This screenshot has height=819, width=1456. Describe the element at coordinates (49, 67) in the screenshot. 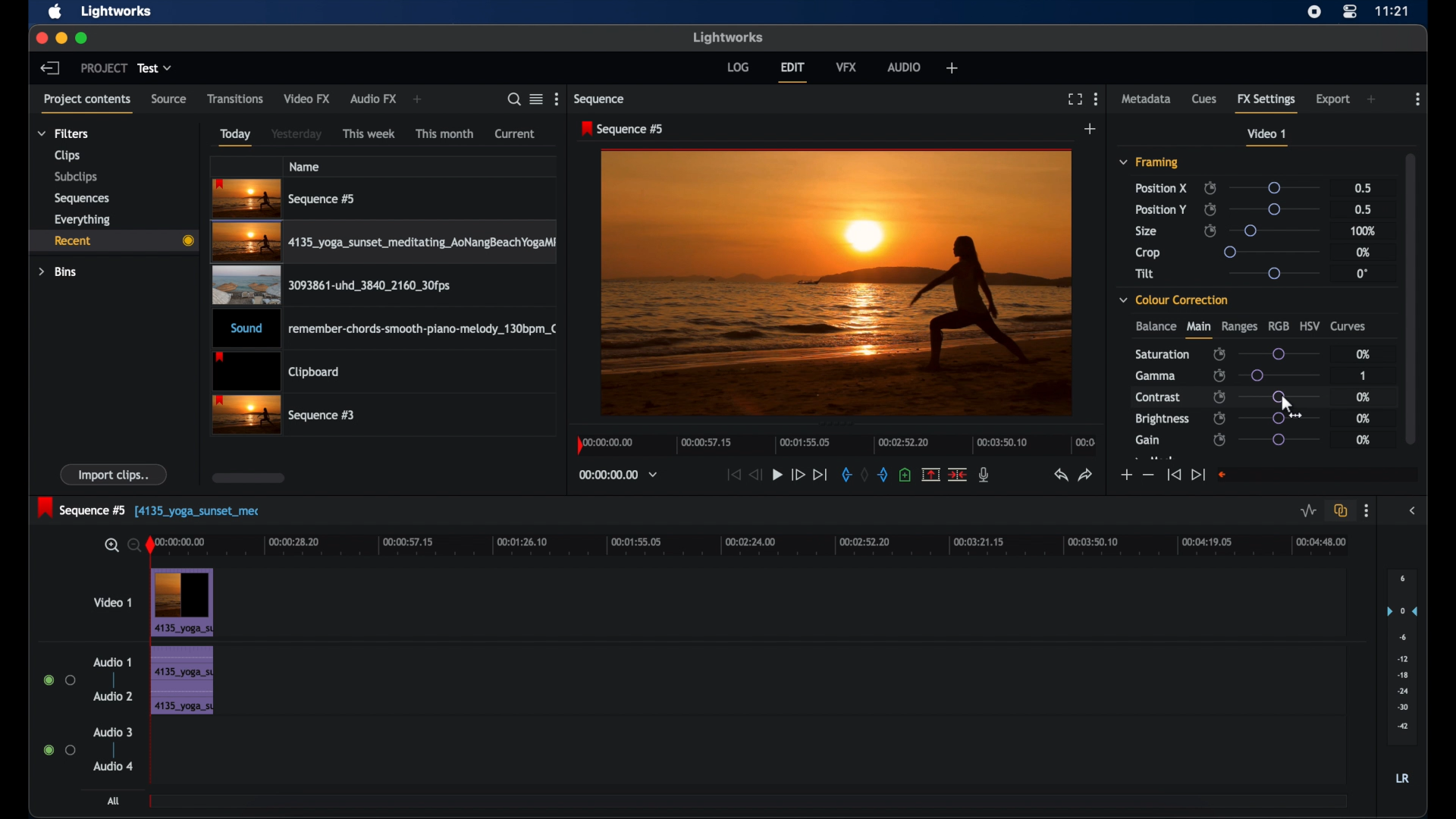

I see `back` at that location.